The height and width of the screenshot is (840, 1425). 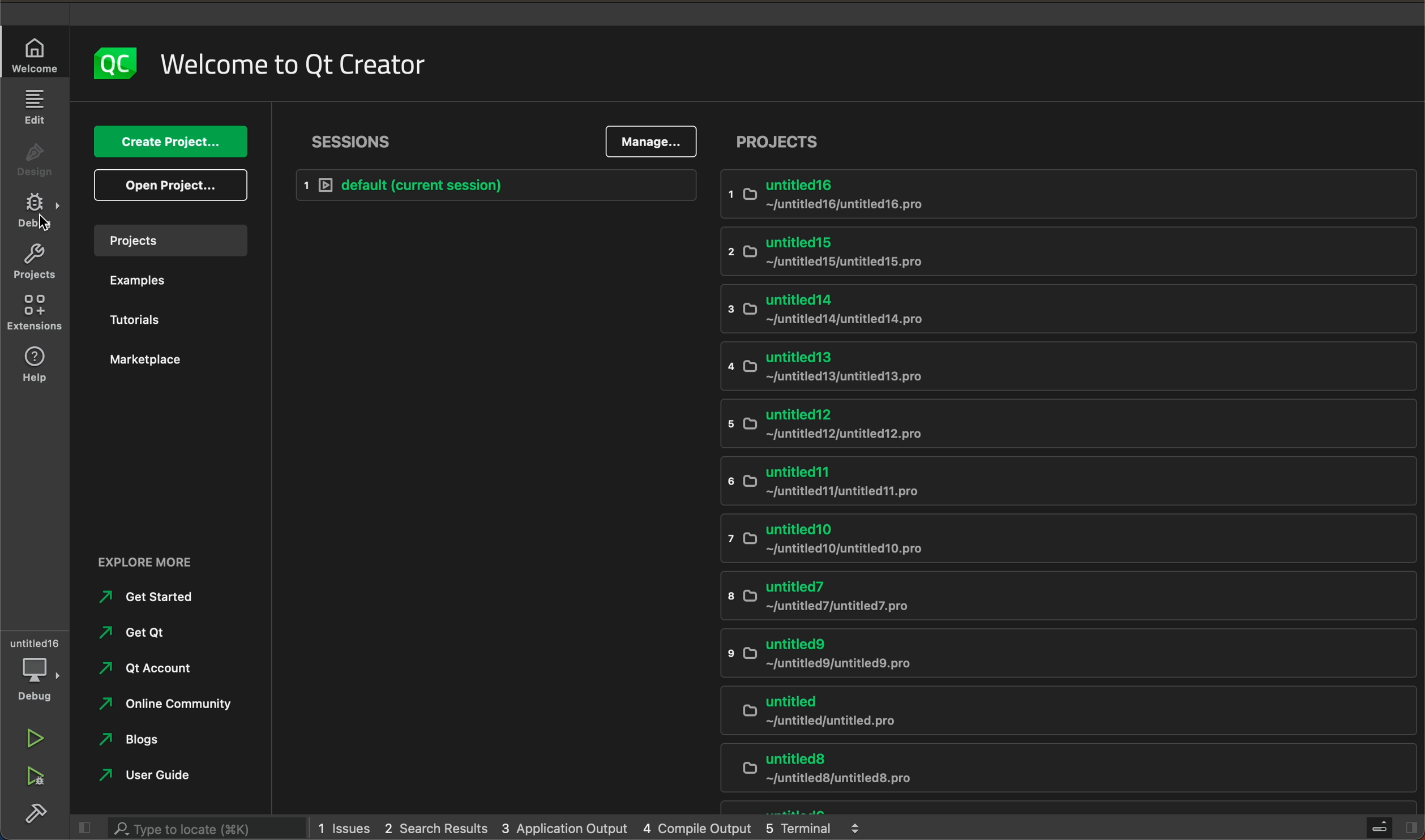 I want to click on Default, so click(x=490, y=183).